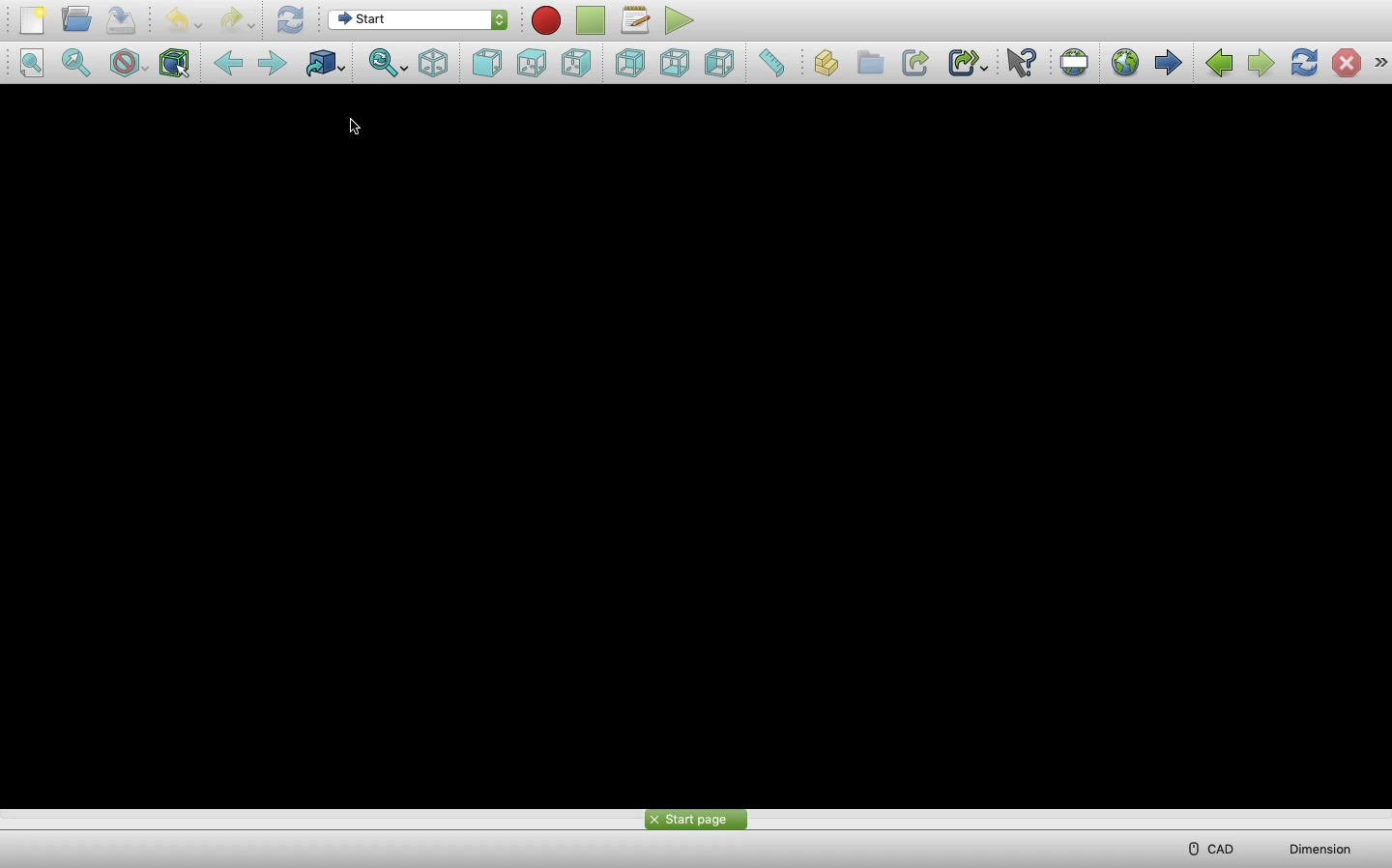 This screenshot has width=1392, height=868. Describe the element at coordinates (629, 63) in the screenshot. I see `Rear` at that location.